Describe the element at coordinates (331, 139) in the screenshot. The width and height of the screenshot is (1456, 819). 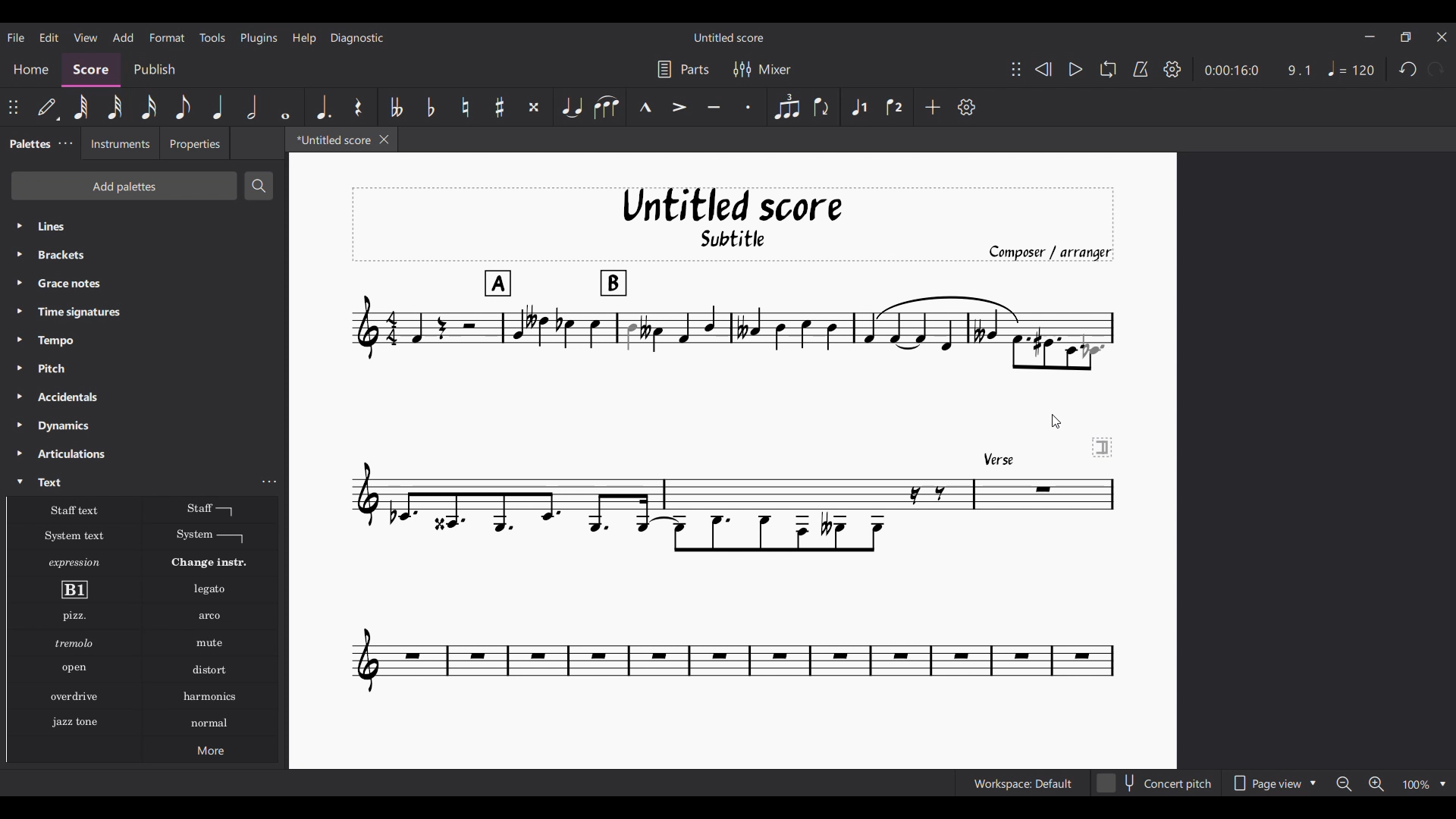
I see `*Untitled score, current tab` at that location.